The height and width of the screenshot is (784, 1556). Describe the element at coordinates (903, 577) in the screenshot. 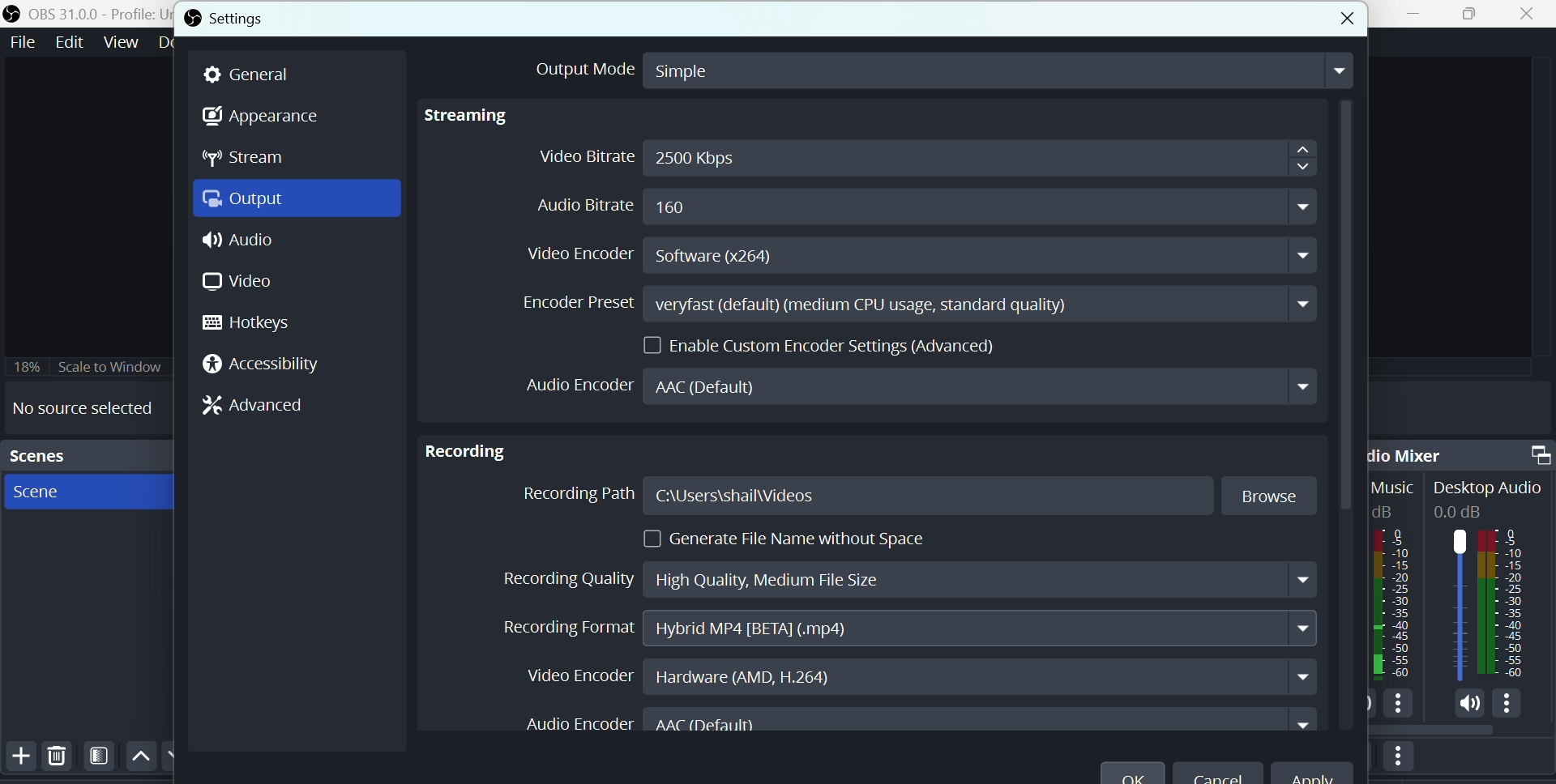

I see `Recording quality` at that location.